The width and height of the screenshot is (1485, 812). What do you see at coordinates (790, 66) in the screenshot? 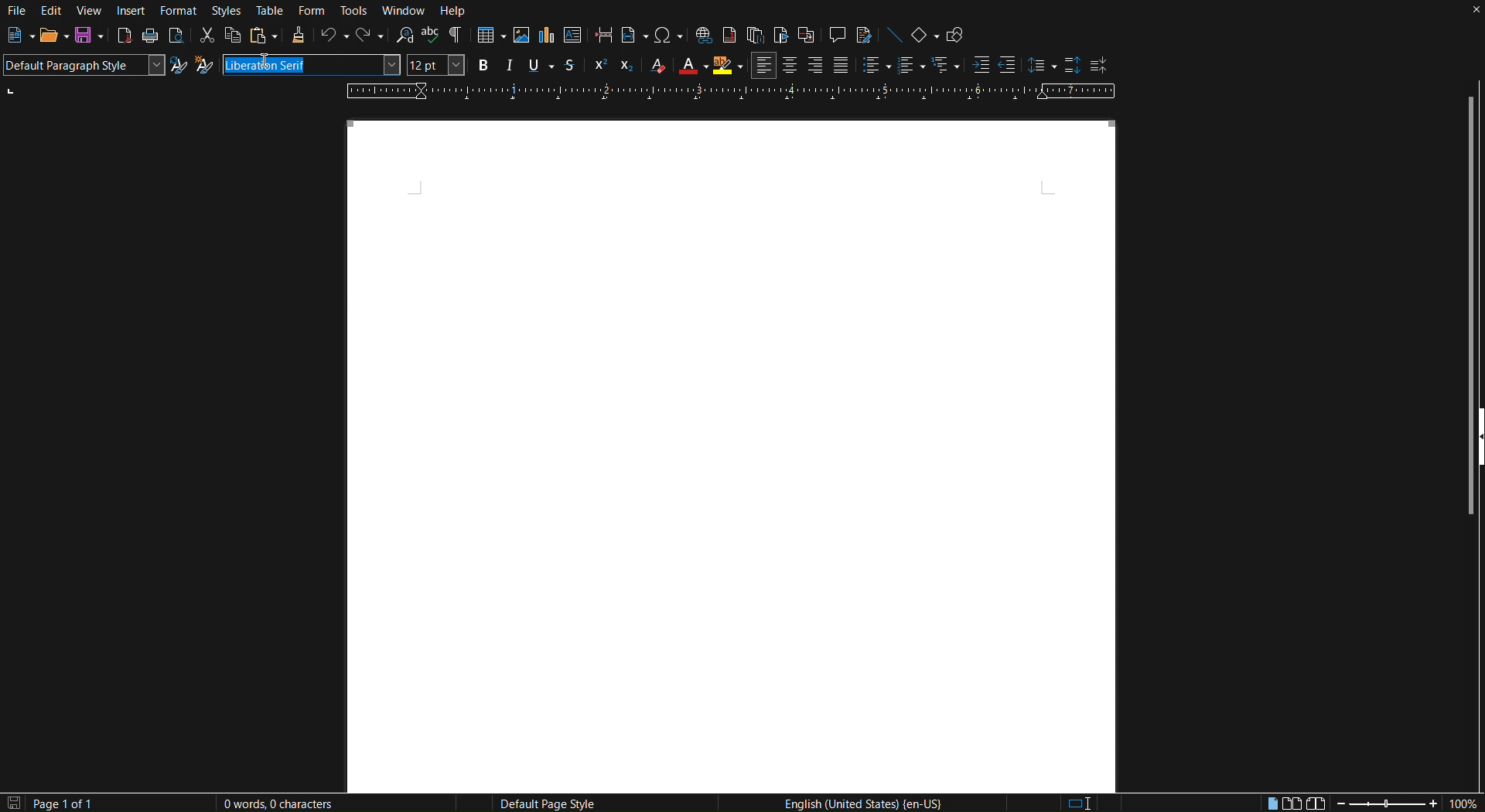
I see `Centre Align` at bounding box center [790, 66].